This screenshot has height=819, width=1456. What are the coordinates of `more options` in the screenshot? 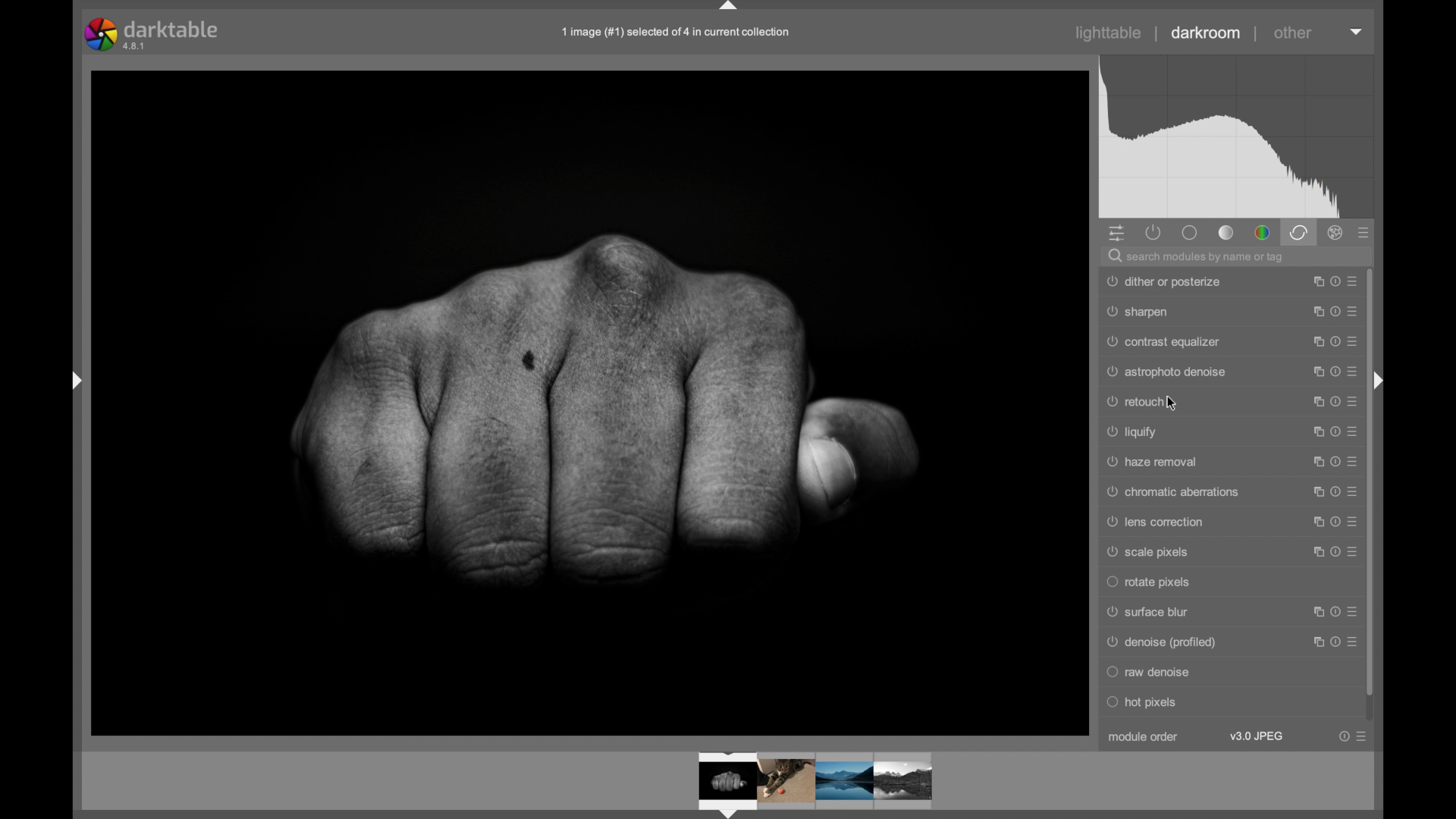 It's located at (1351, 491).